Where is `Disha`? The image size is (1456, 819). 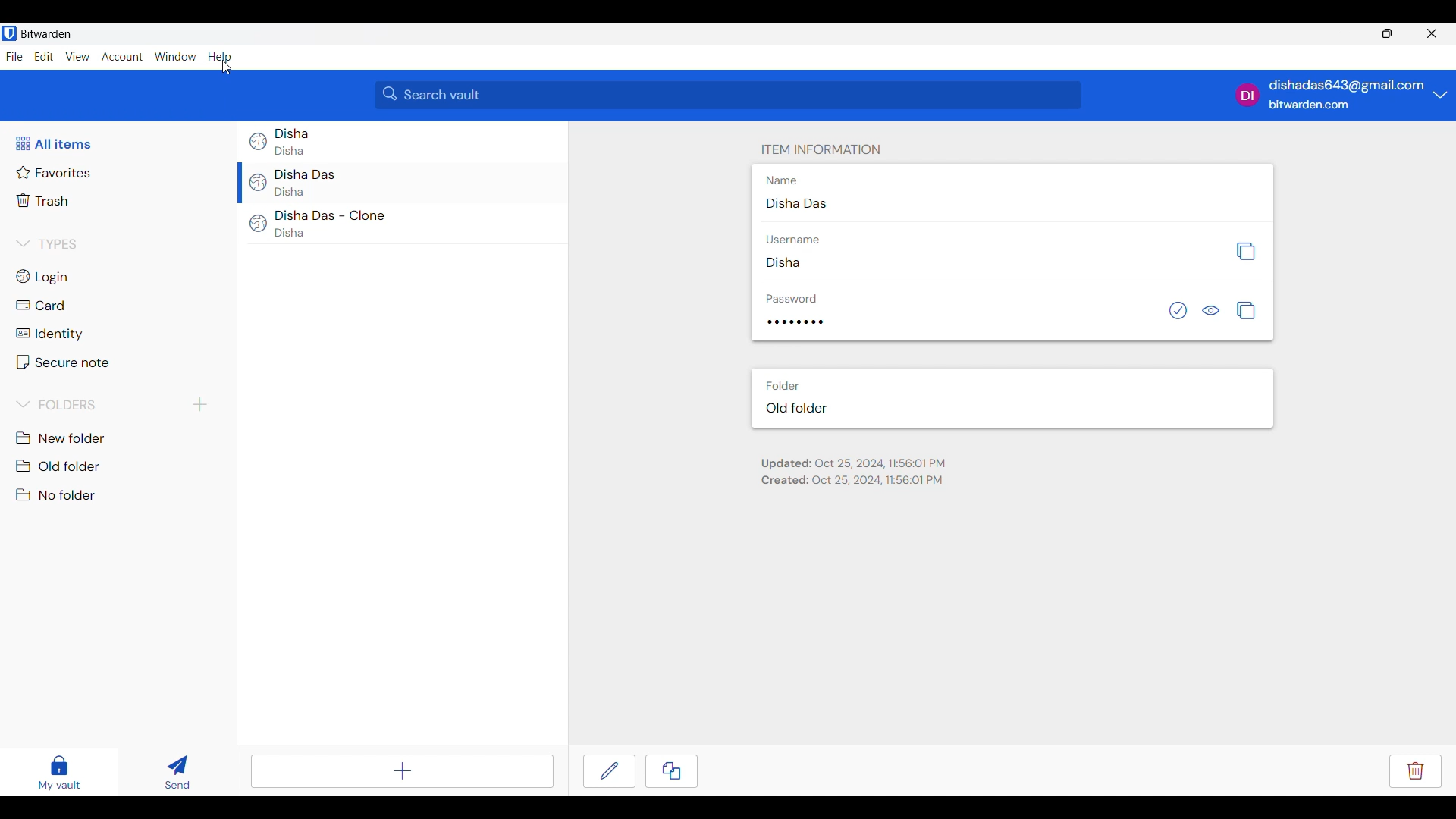
Disha is located at coordinates (290, 191).